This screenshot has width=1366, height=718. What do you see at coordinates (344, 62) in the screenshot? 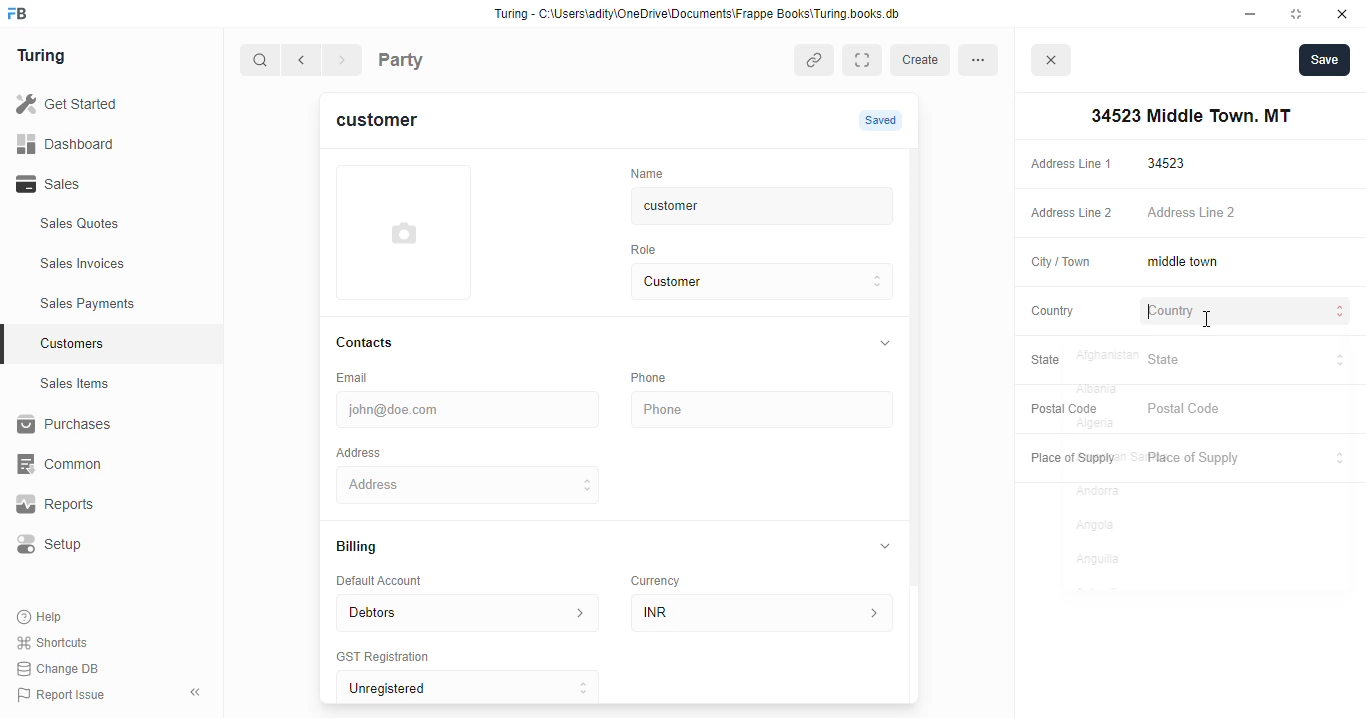
I see `forward` at bounding box center [344, 62].